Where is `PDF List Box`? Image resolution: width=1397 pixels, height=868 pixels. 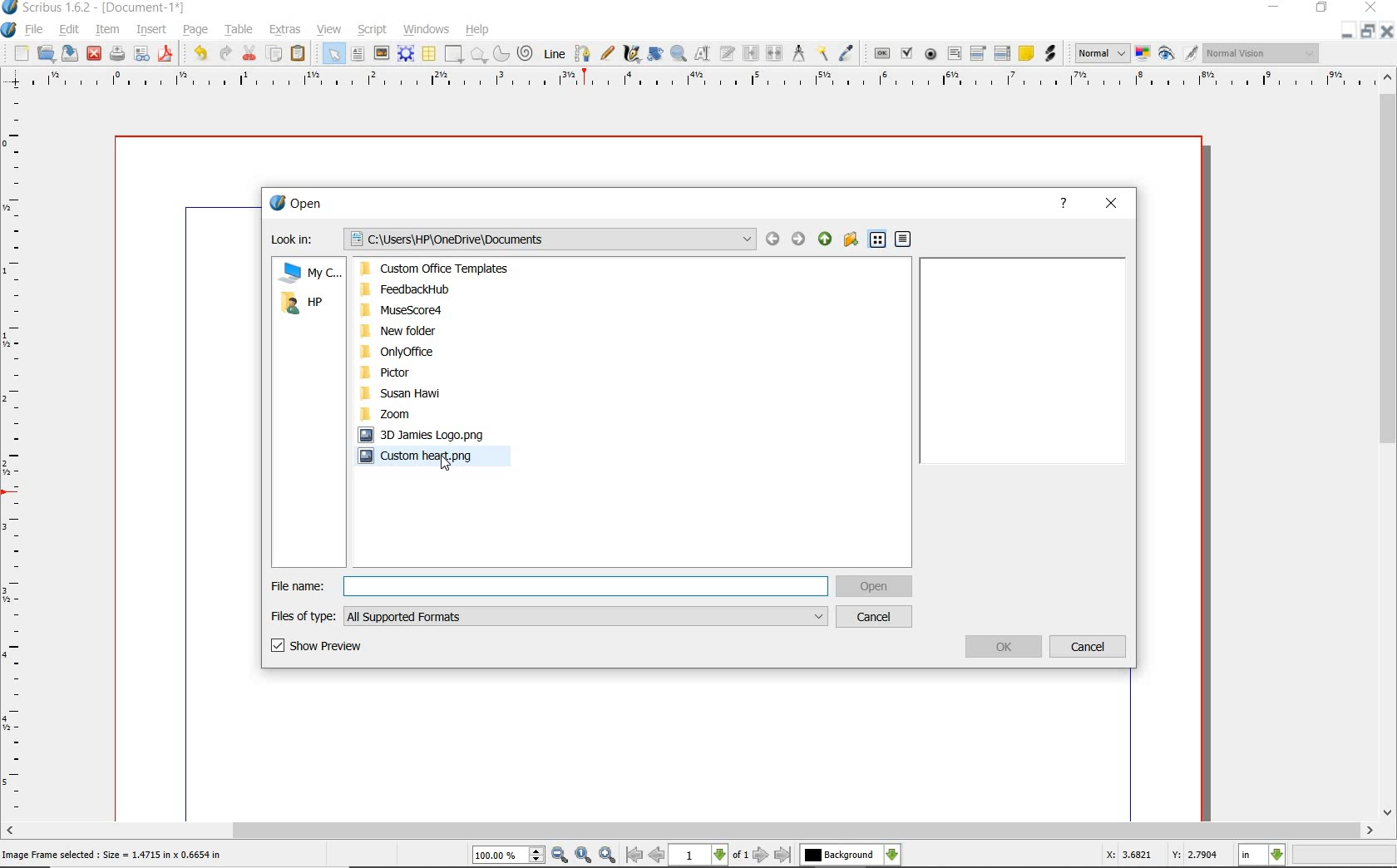 PDF List Box is located at coordinates (1002, 53).